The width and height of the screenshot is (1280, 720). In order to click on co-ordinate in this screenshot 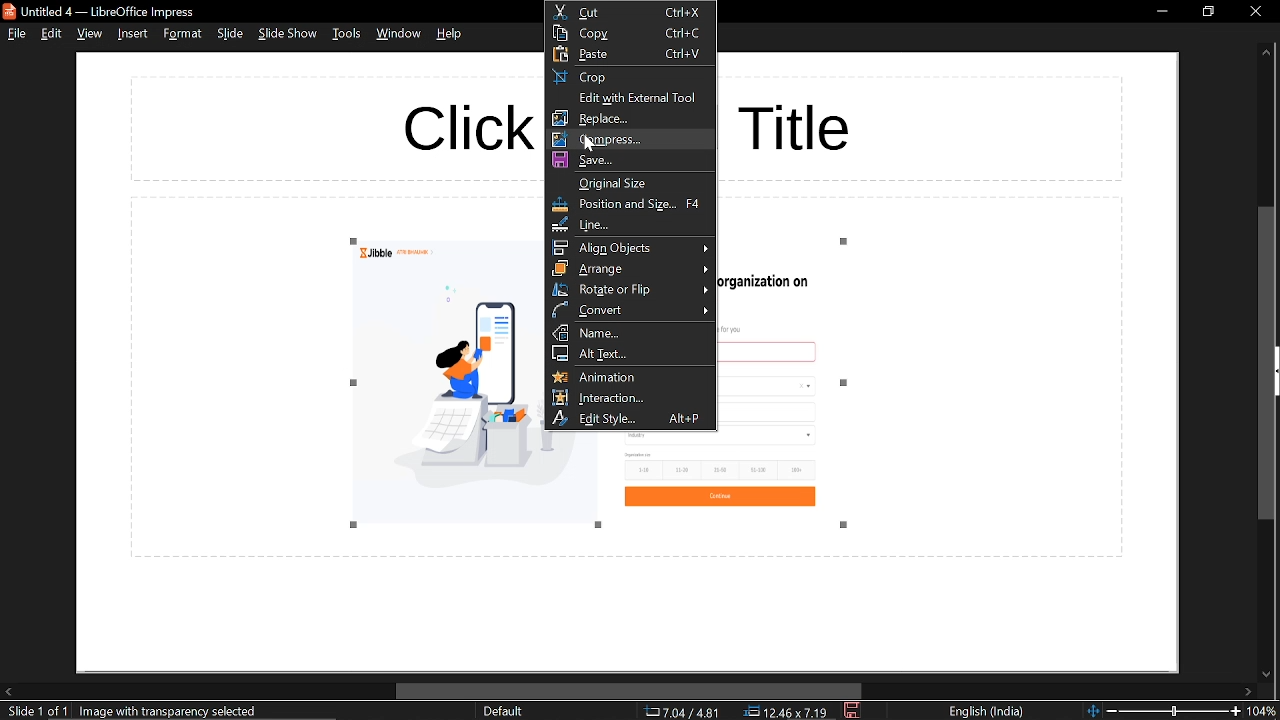, I will do `click(682, 712)`.